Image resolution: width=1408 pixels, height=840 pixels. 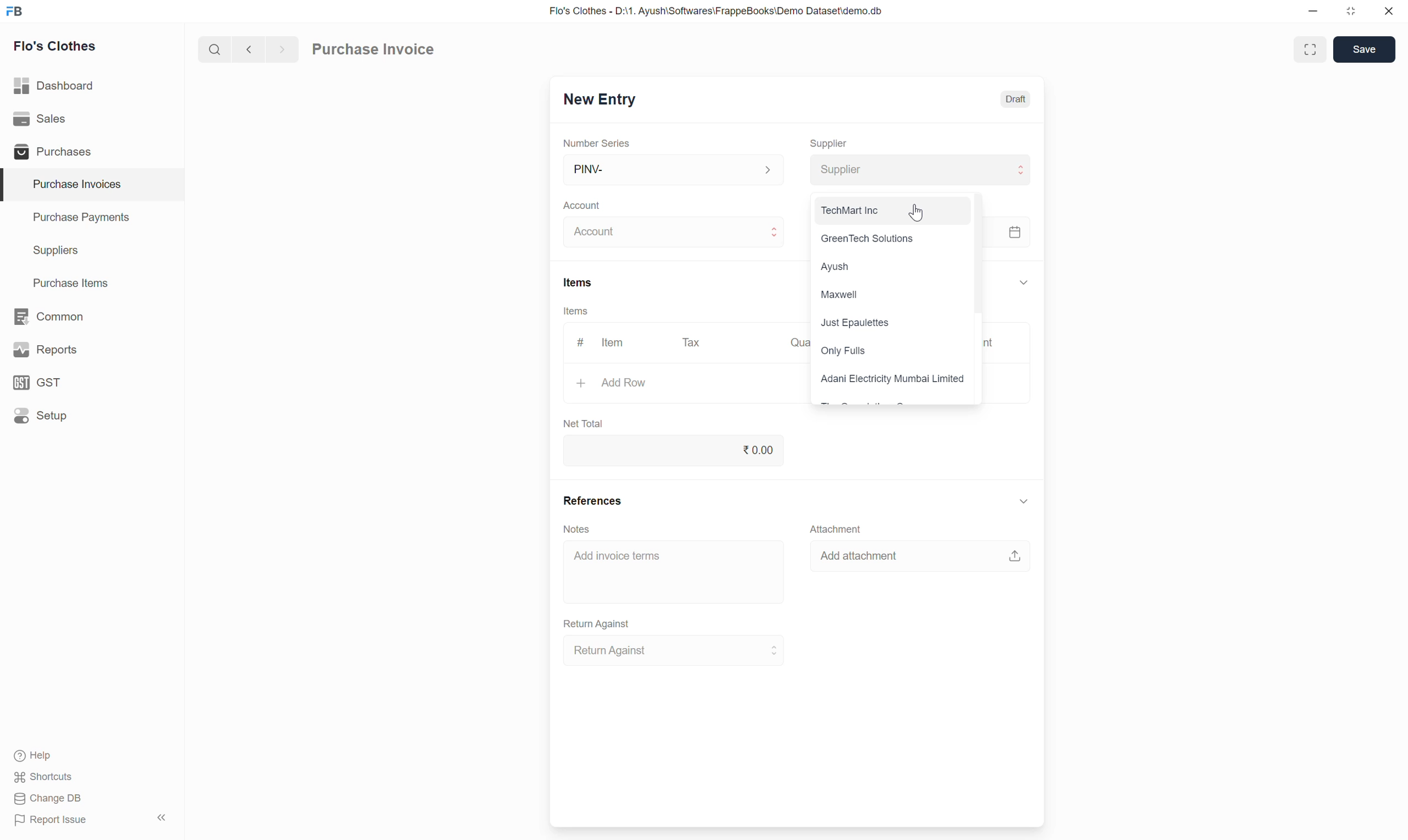 I want to click on Save, so click(x=1364, y=49).